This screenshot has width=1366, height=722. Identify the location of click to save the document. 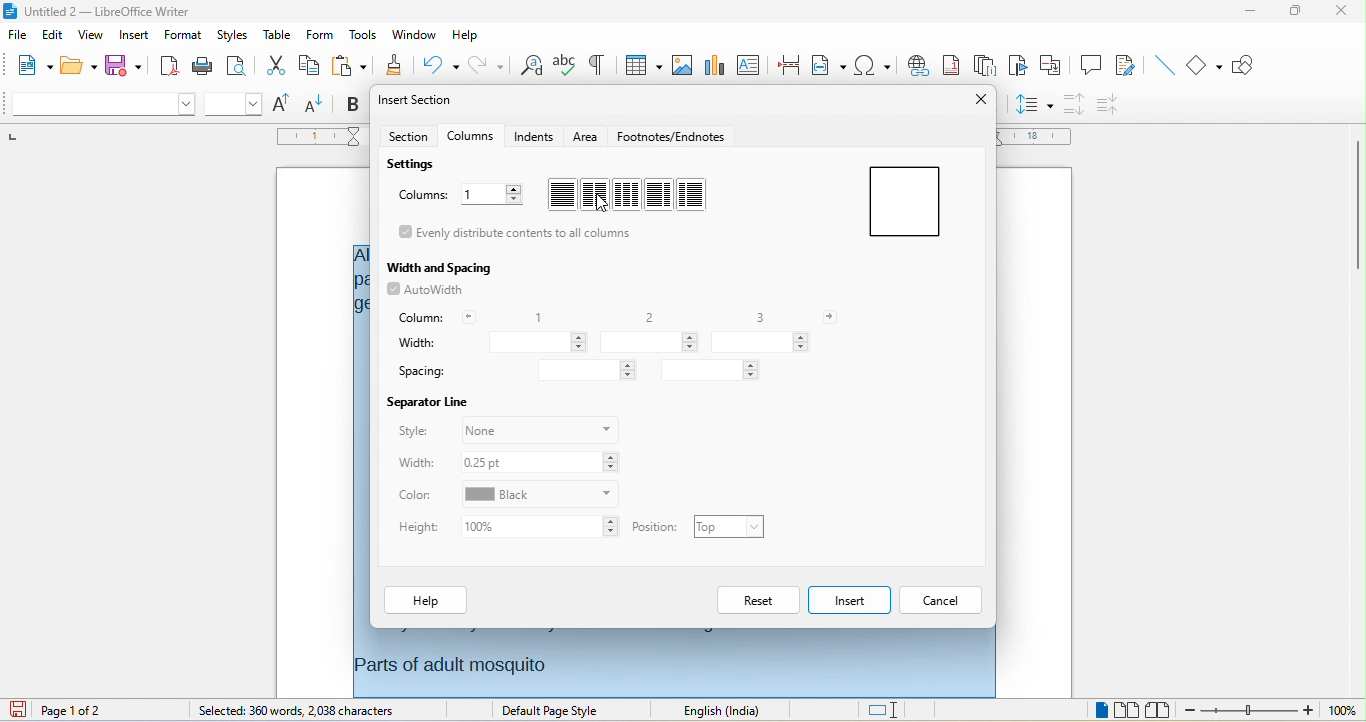
(17, 710).